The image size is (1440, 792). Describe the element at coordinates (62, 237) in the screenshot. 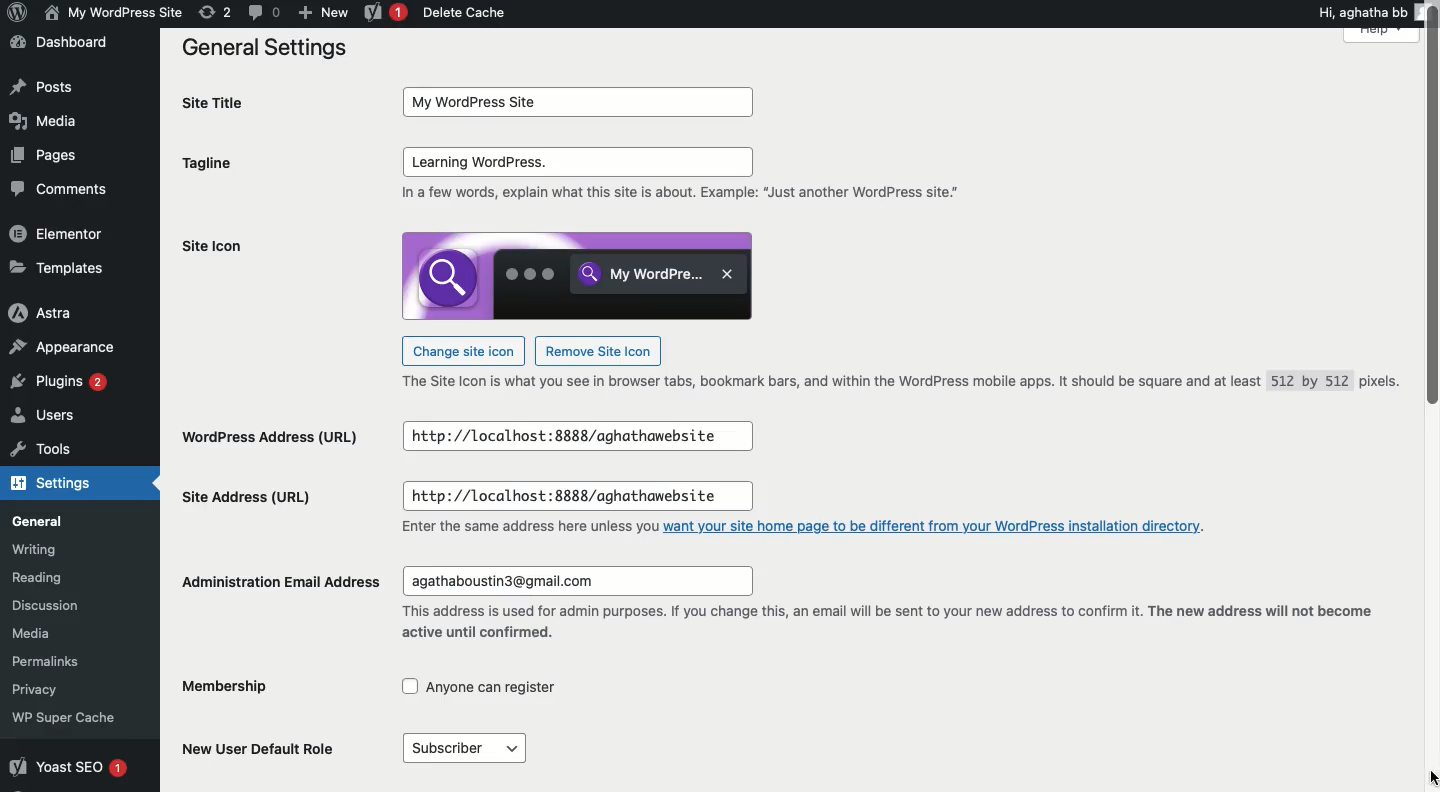

I see `Elementor` at that location.